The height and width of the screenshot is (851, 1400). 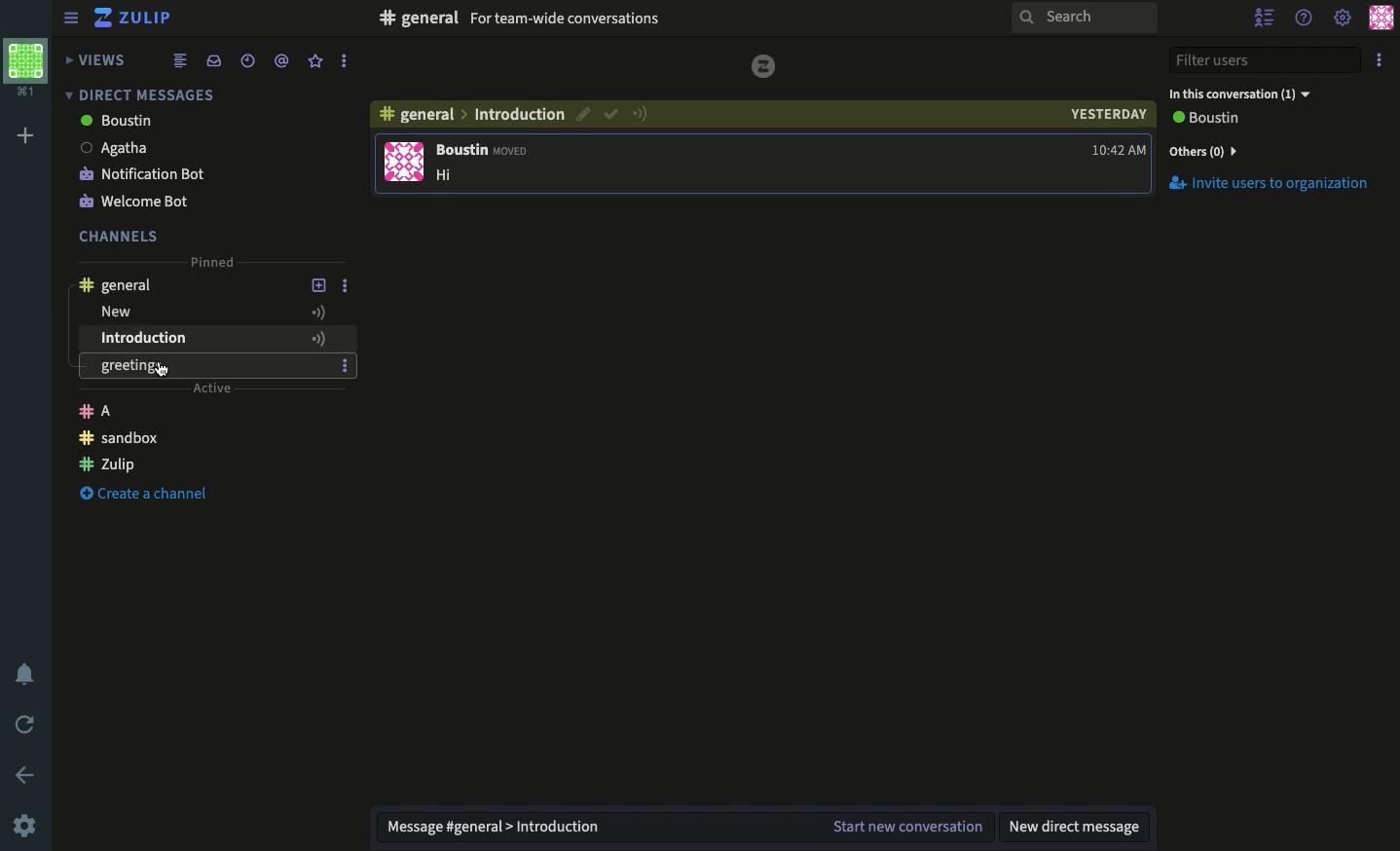 I want to click on Welcome bot, so click(x=184, y=200).